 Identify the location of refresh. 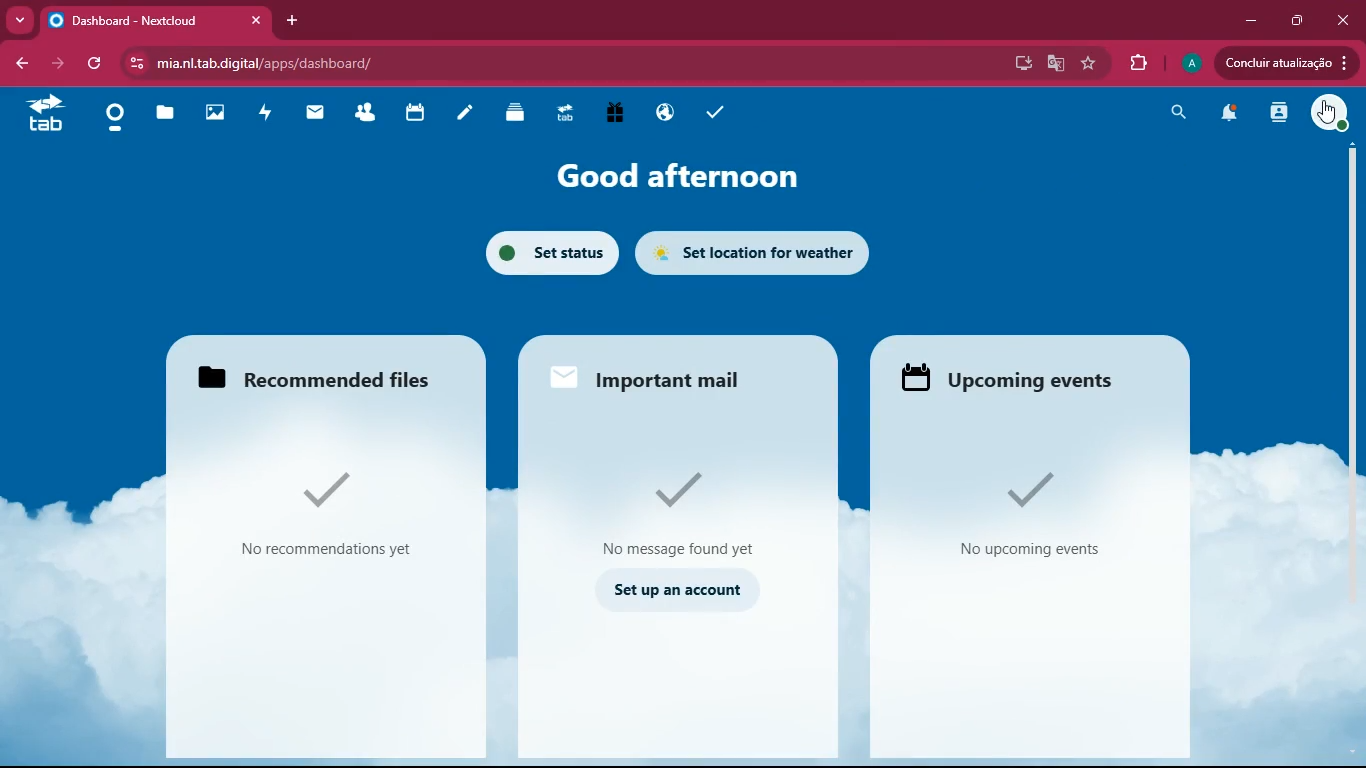
(98, 64).